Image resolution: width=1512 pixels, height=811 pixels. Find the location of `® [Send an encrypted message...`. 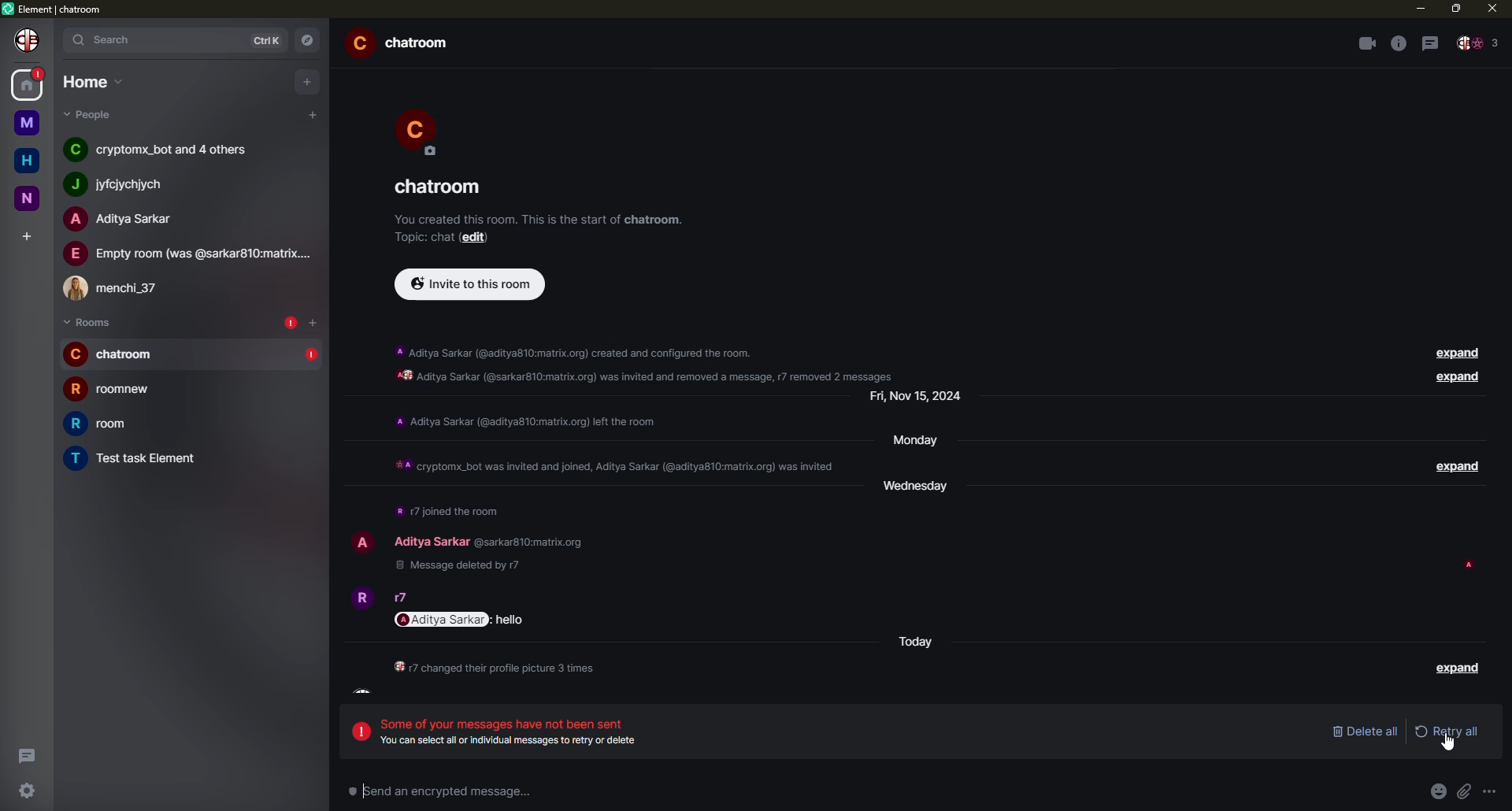

® [Send an encrypted message... is located at coordinates (424, 788).